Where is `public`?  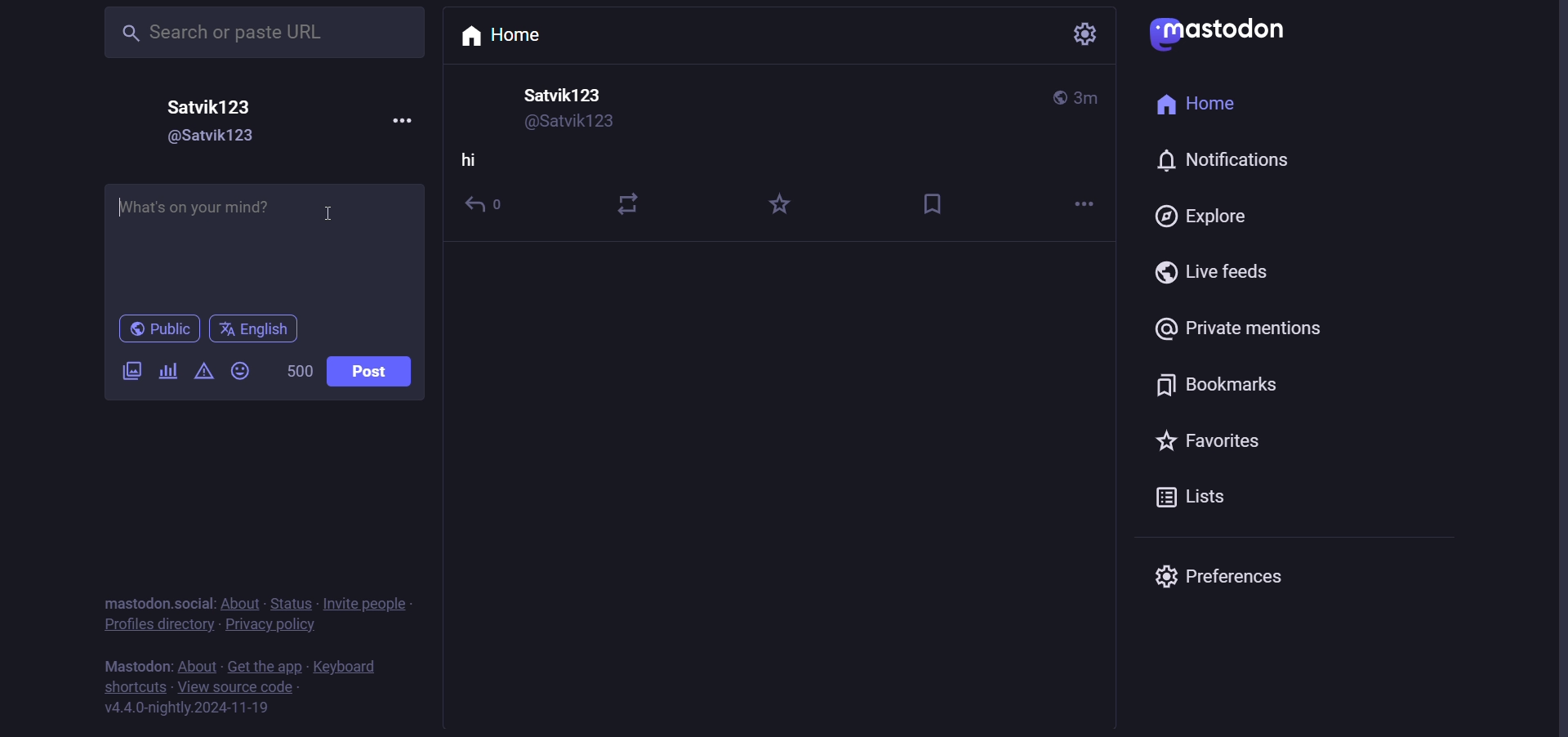
public is located at coordinates (156, 329).